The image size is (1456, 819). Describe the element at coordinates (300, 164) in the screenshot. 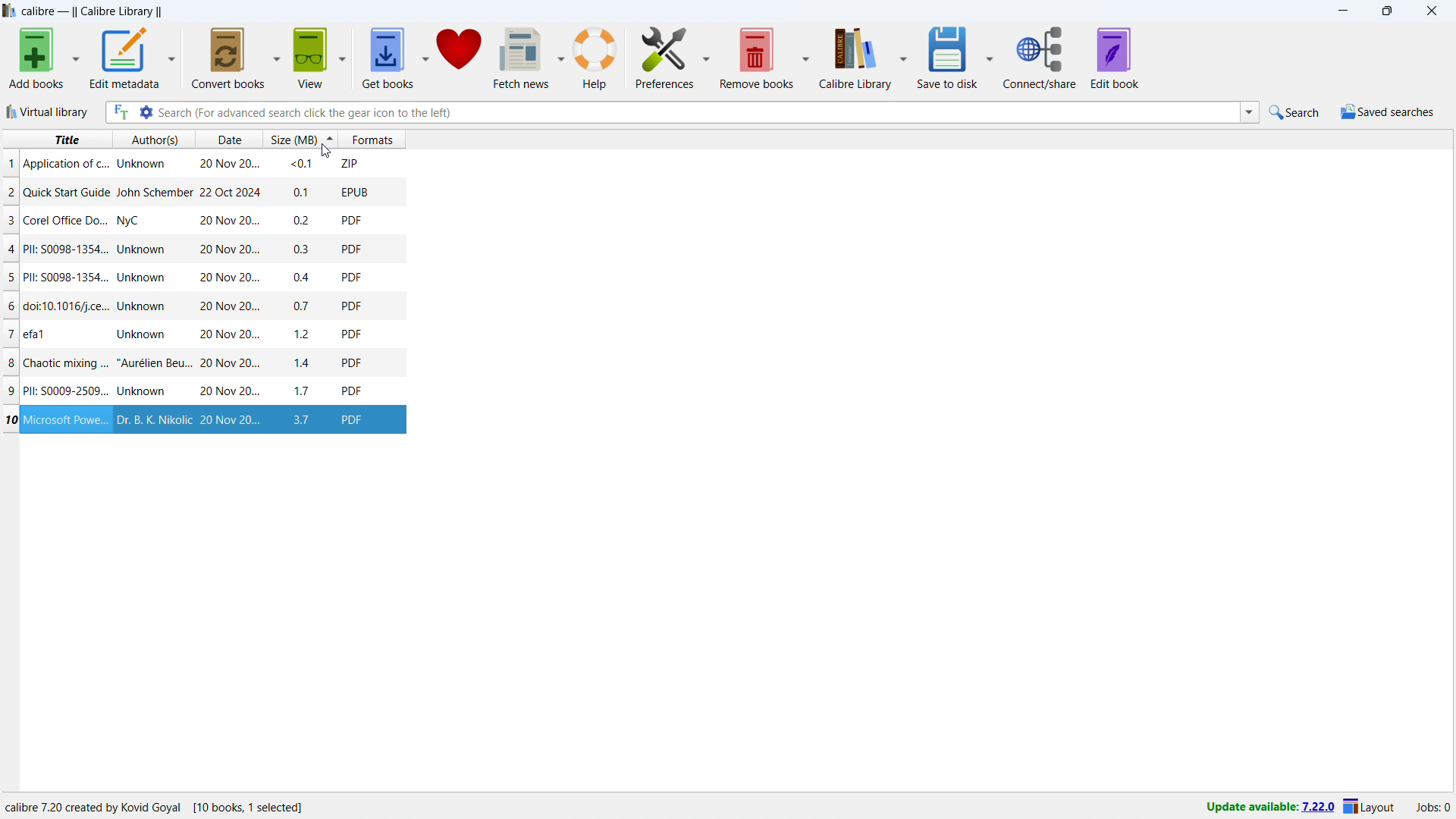

I see `size` at that location.